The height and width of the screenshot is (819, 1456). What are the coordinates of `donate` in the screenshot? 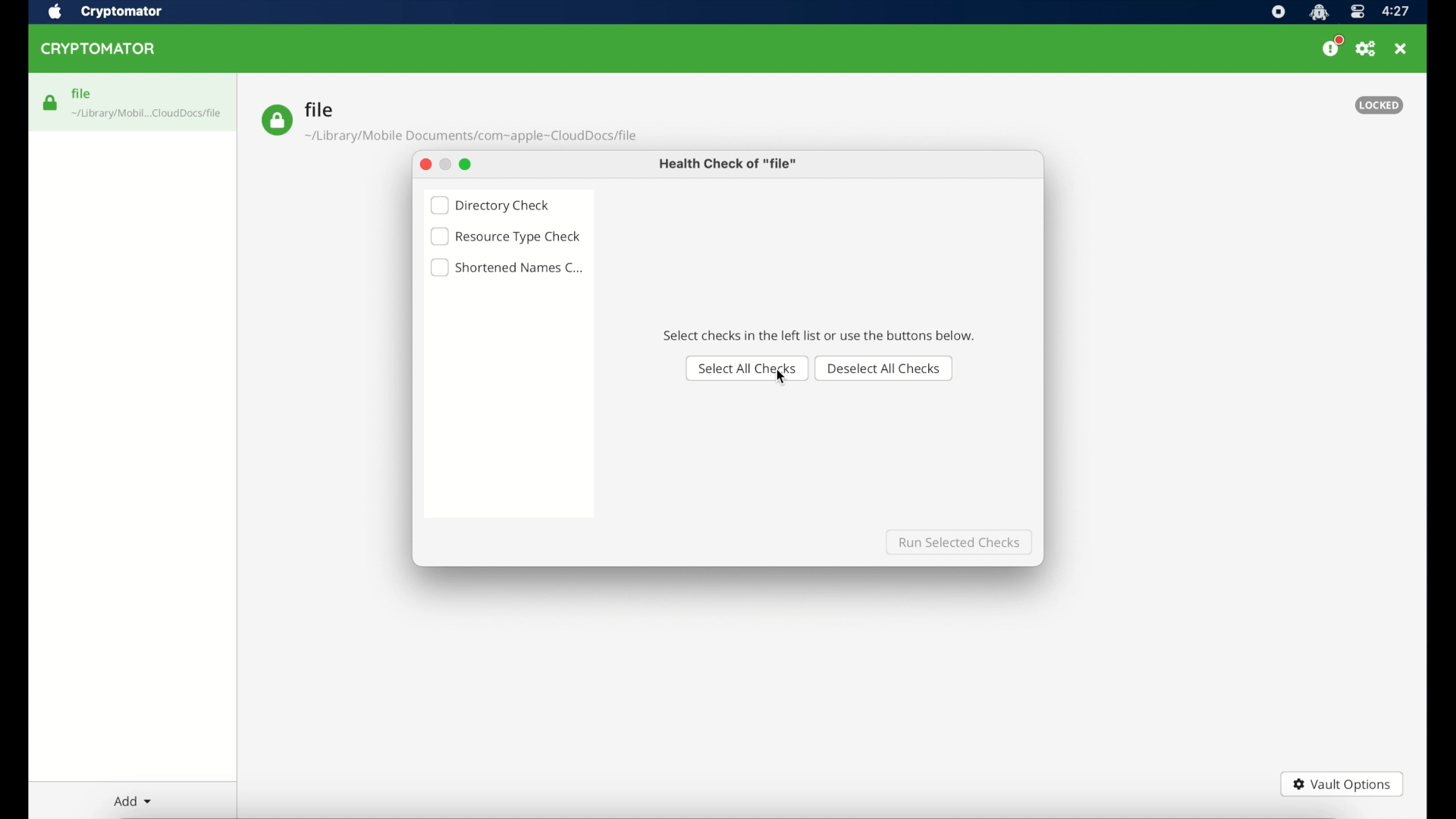 It's located at (1332, 47).